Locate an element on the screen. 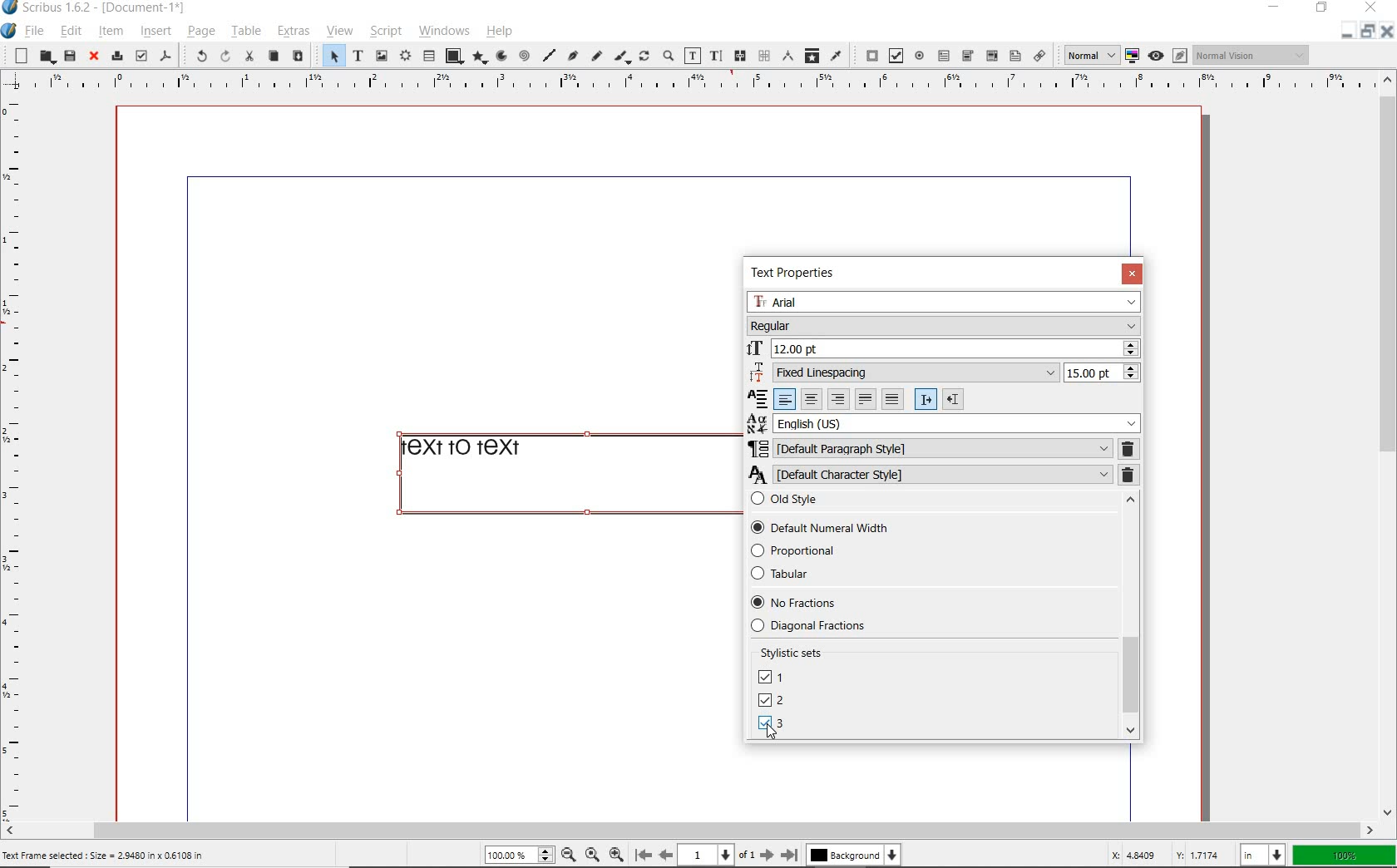 The image size is (1397, 868). Text annotation is located at coordinates (1014, 57).